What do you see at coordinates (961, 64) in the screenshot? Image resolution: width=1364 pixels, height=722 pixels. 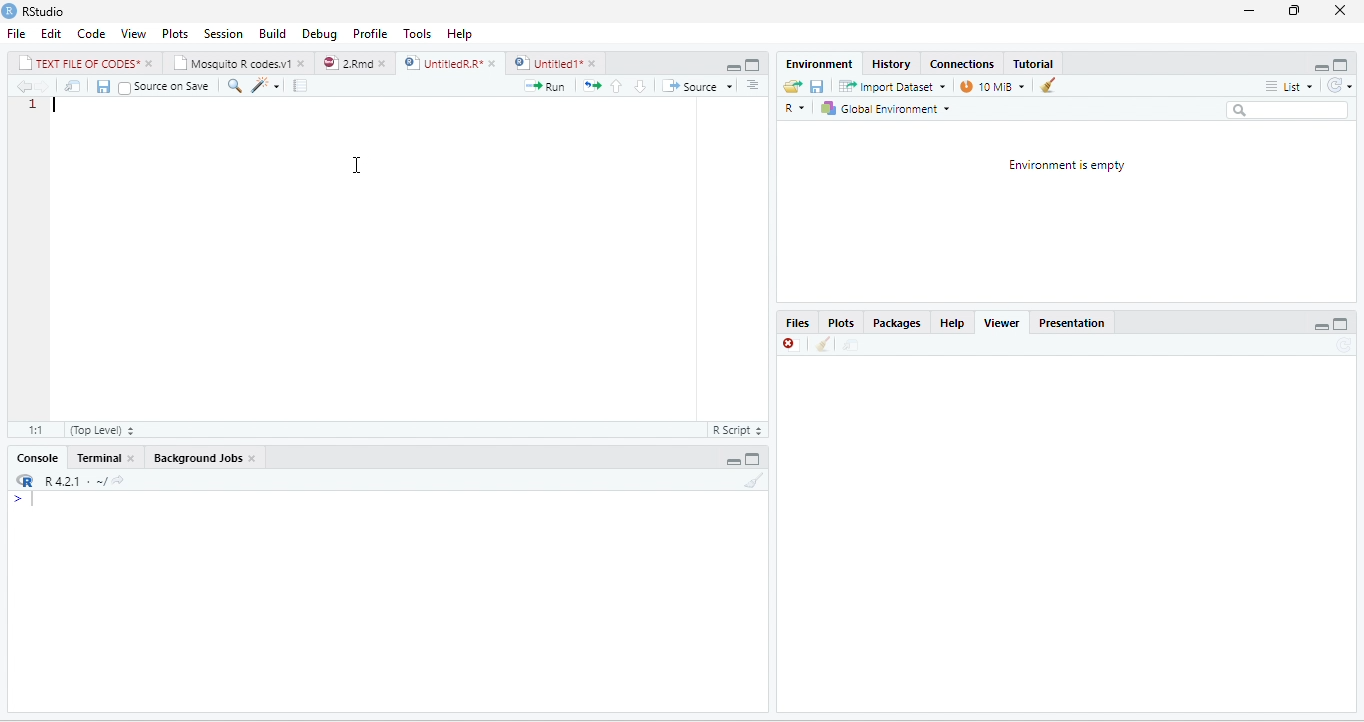 I see `‘Connections` at bounding box center [961, 64].